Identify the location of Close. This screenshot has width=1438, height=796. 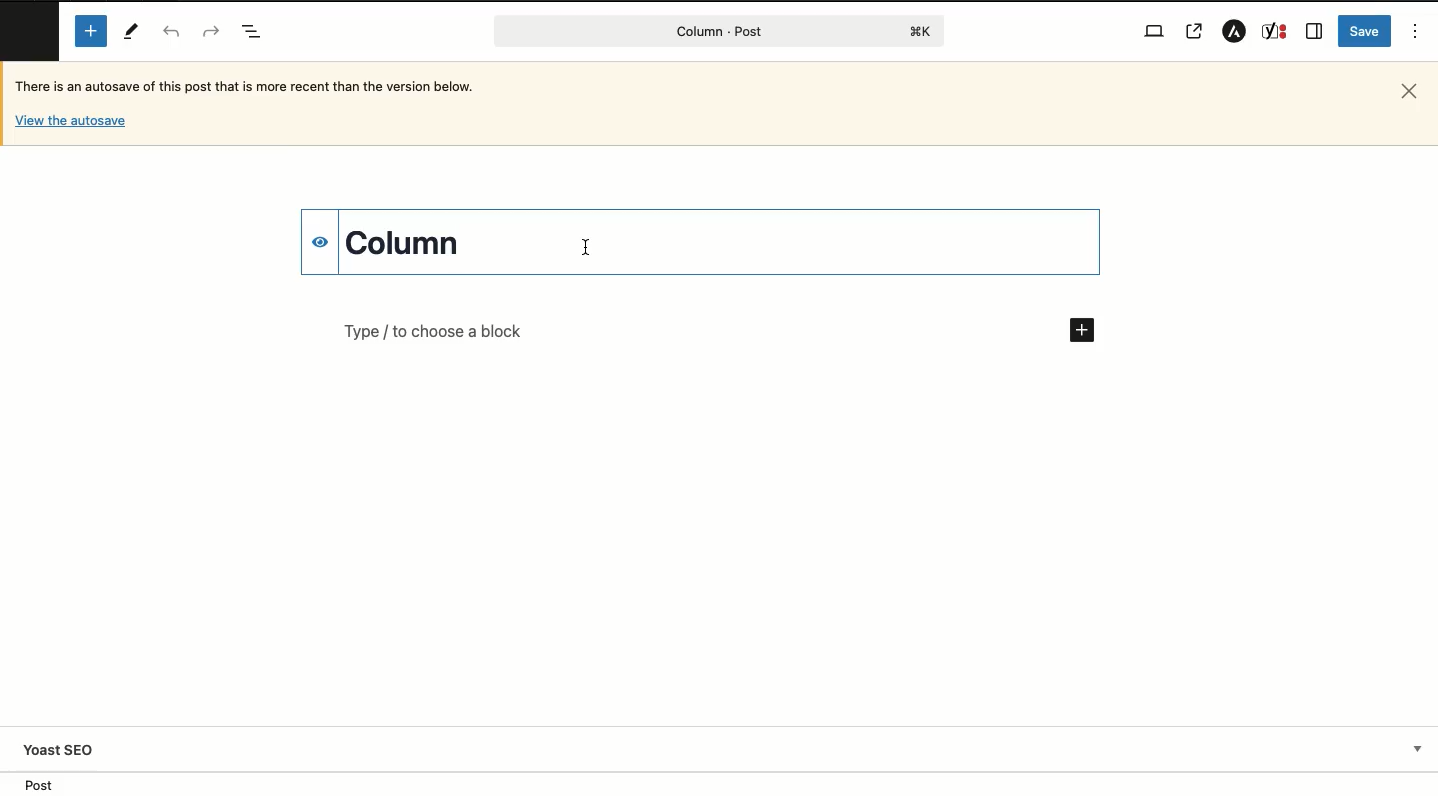
(1406, 92).